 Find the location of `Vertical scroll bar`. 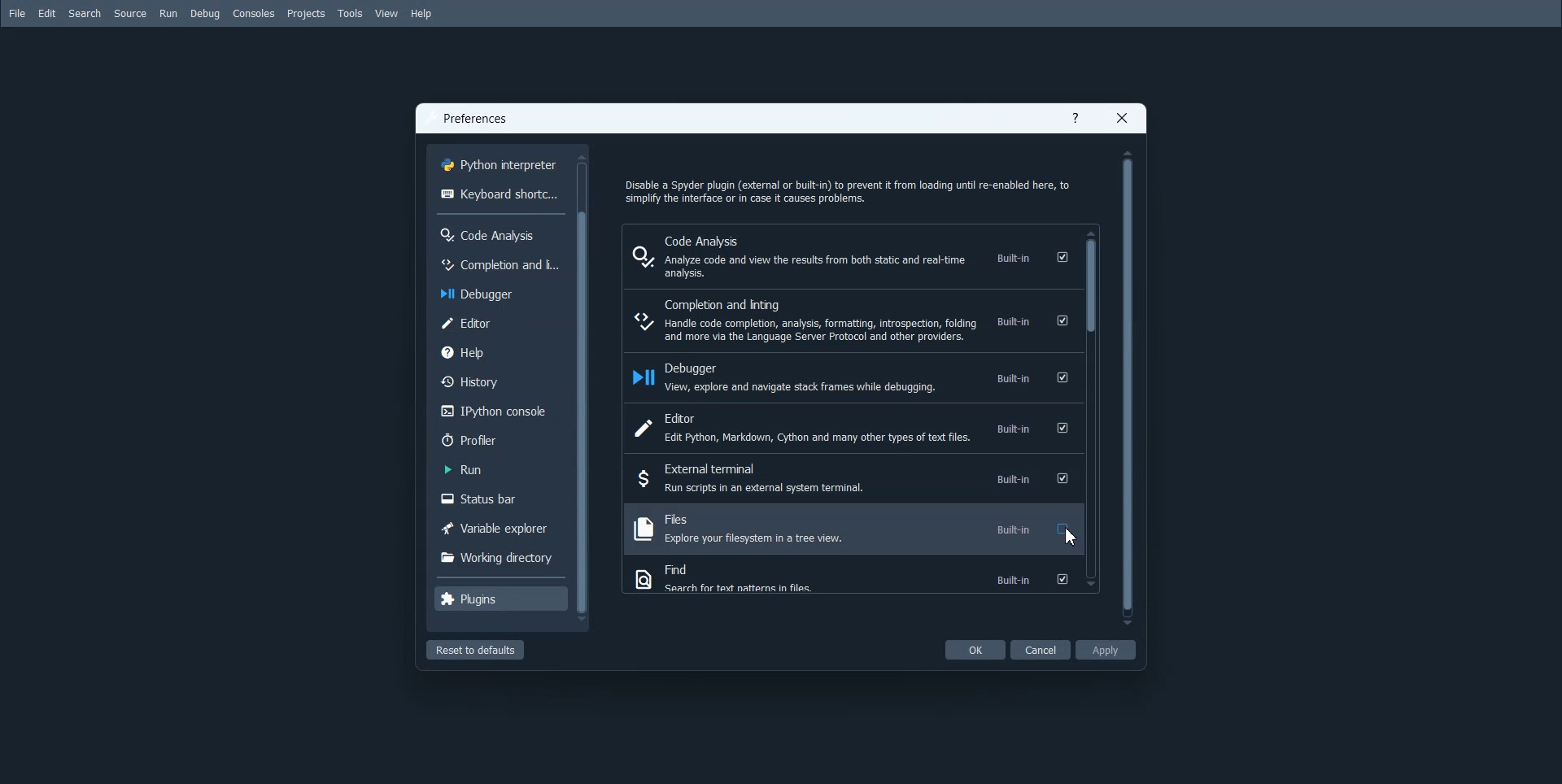

Vertical scroll bar is located at coordinates (586, 389).